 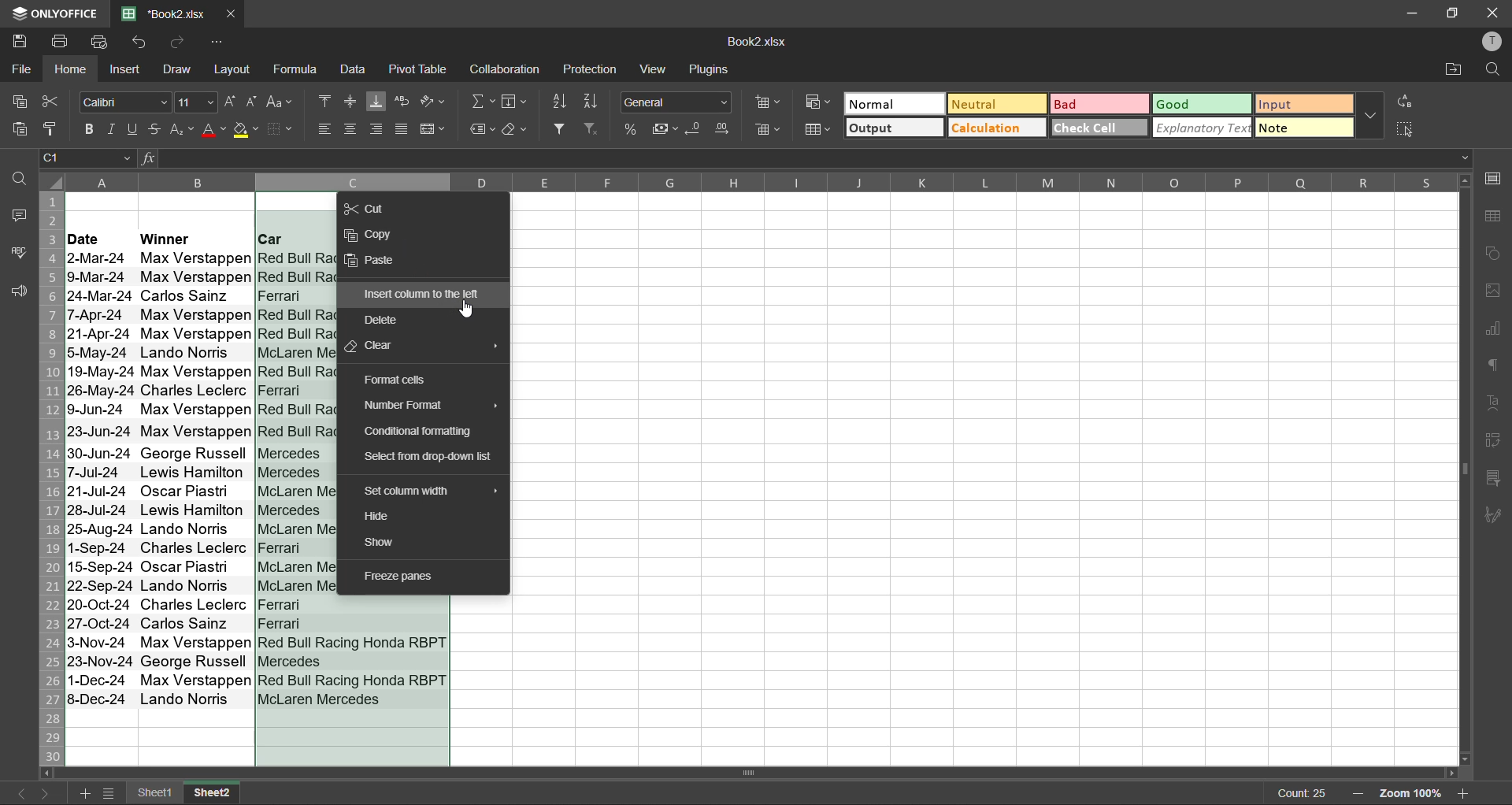 I want to click on check cell, so click(x=1095, y=131).